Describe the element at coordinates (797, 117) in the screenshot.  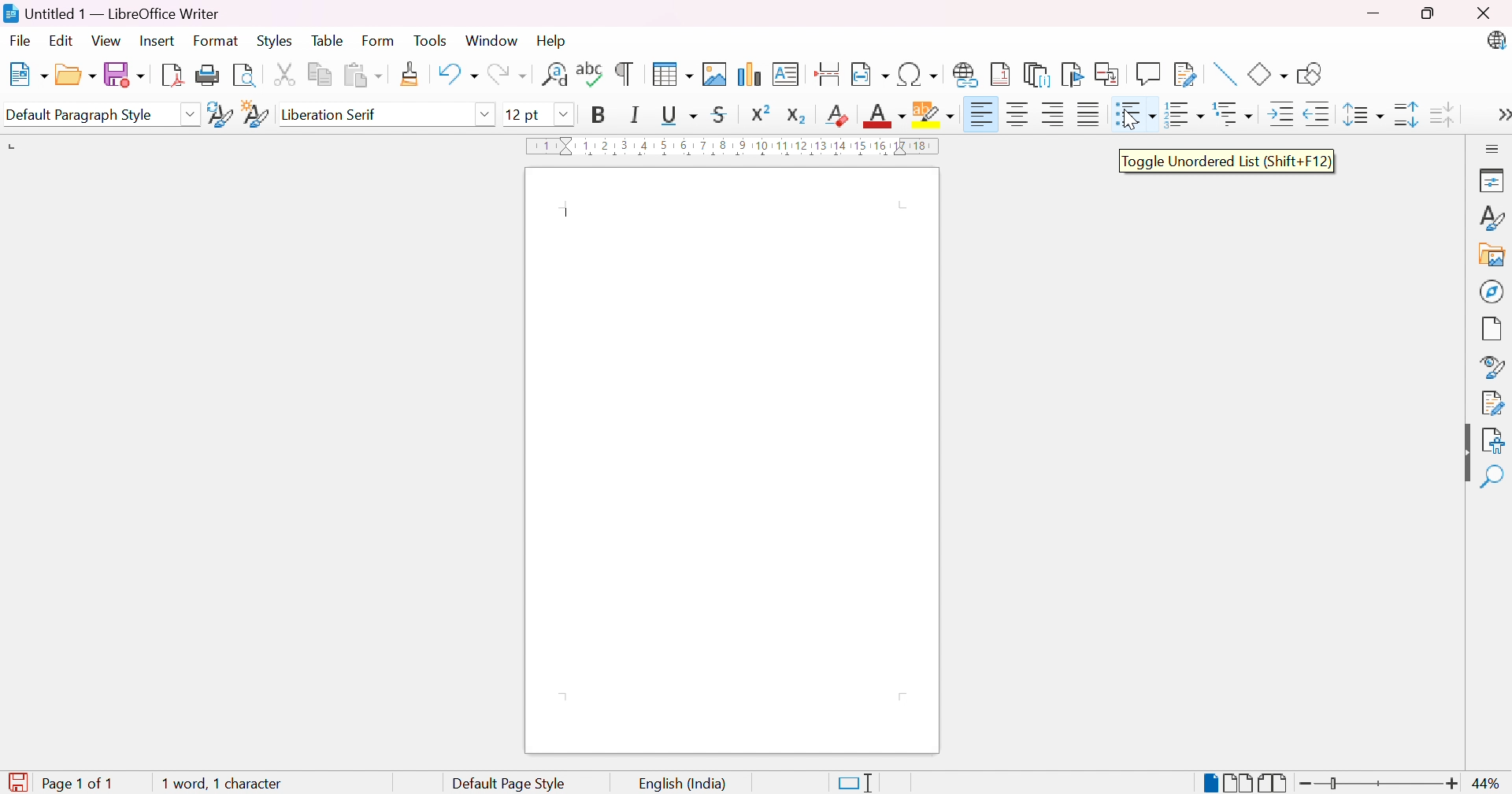
I see `Subscript` at that location.